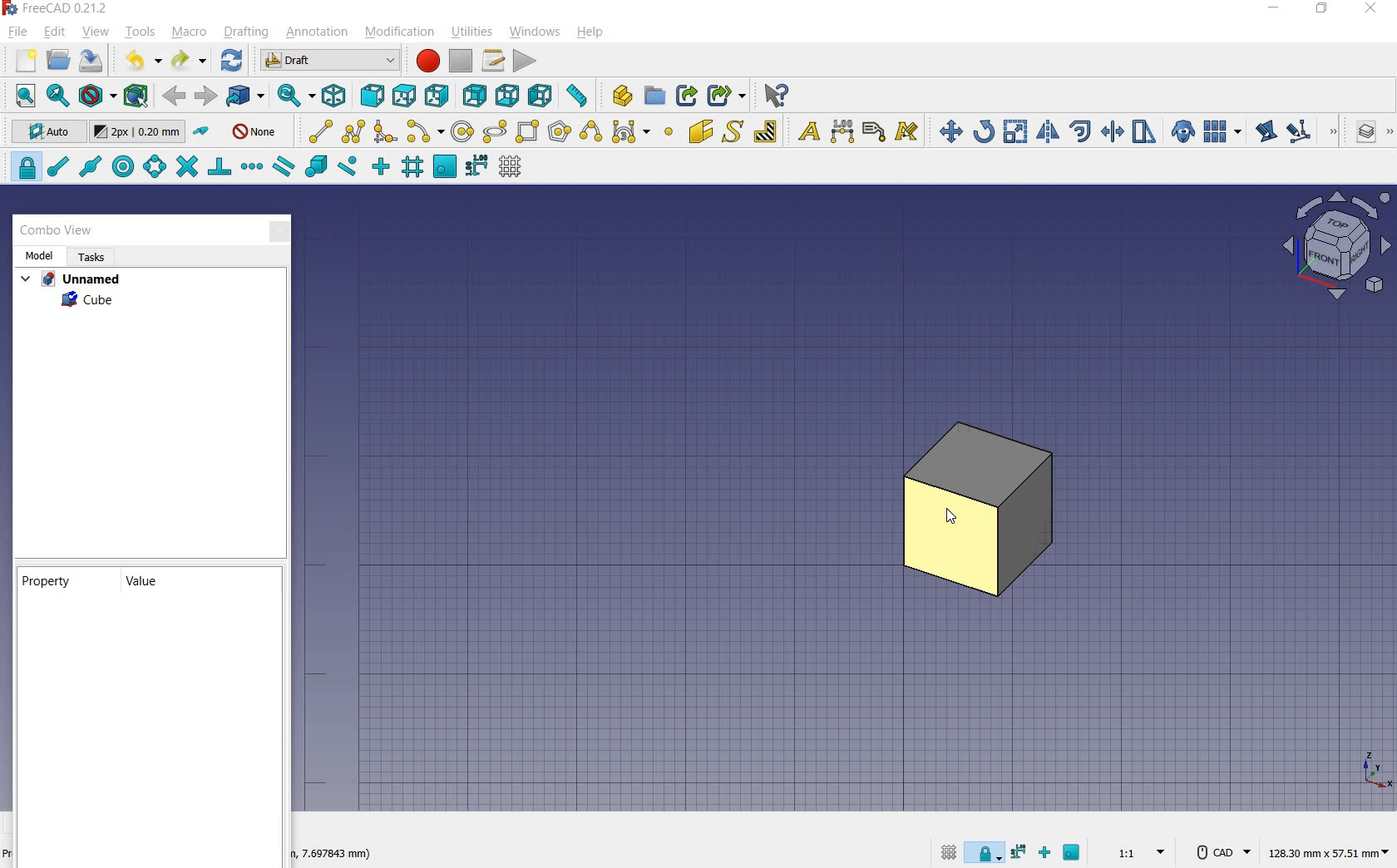 The image size is (1397, 868). What do you see at coordinates (61, 61) in the screenshot?
I see `open` at bounding box center [61, 61].